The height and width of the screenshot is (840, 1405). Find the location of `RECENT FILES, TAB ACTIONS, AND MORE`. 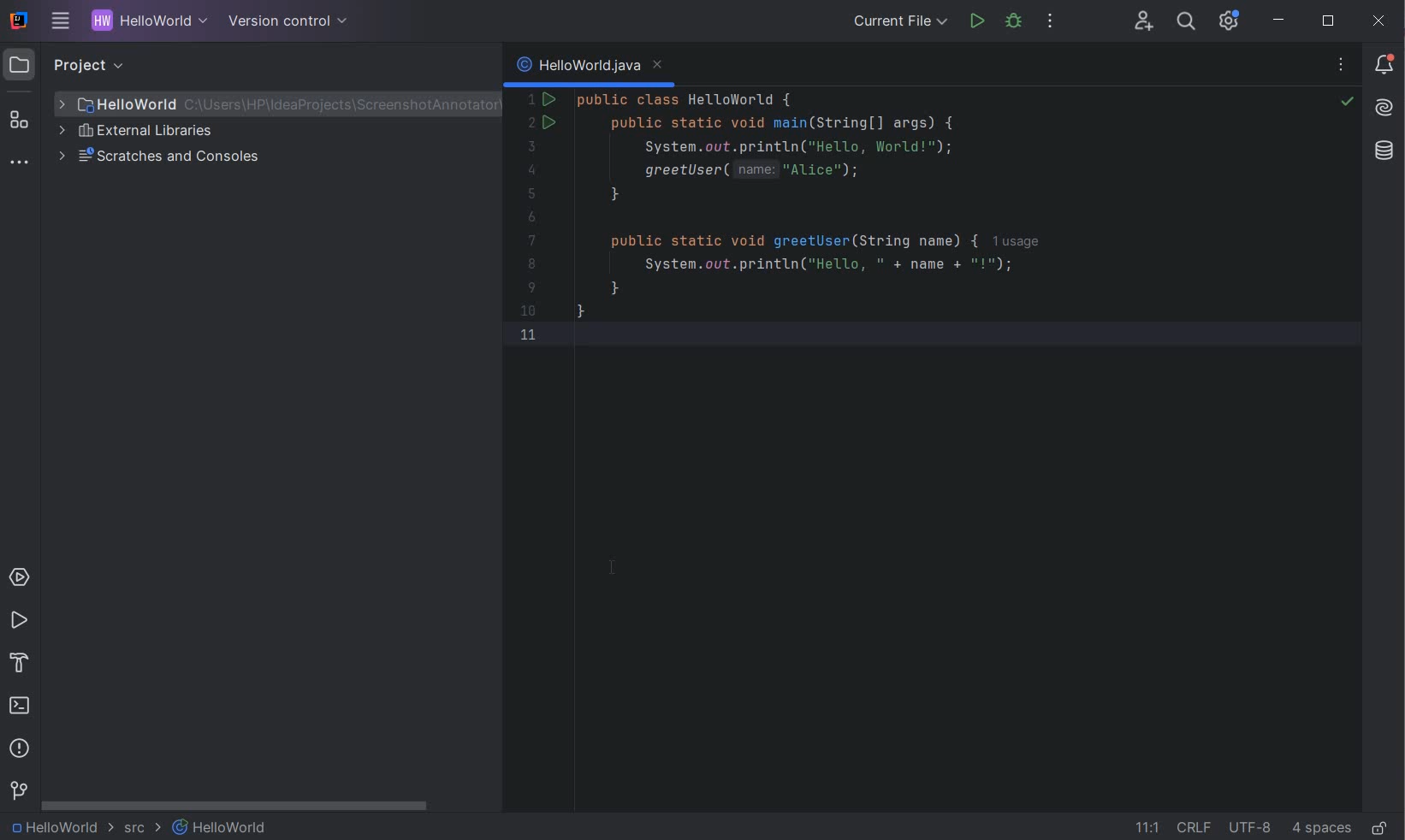

RECENT FILES, TAB ACTIONS, AND MORE is located at coordinates (1343, 67).